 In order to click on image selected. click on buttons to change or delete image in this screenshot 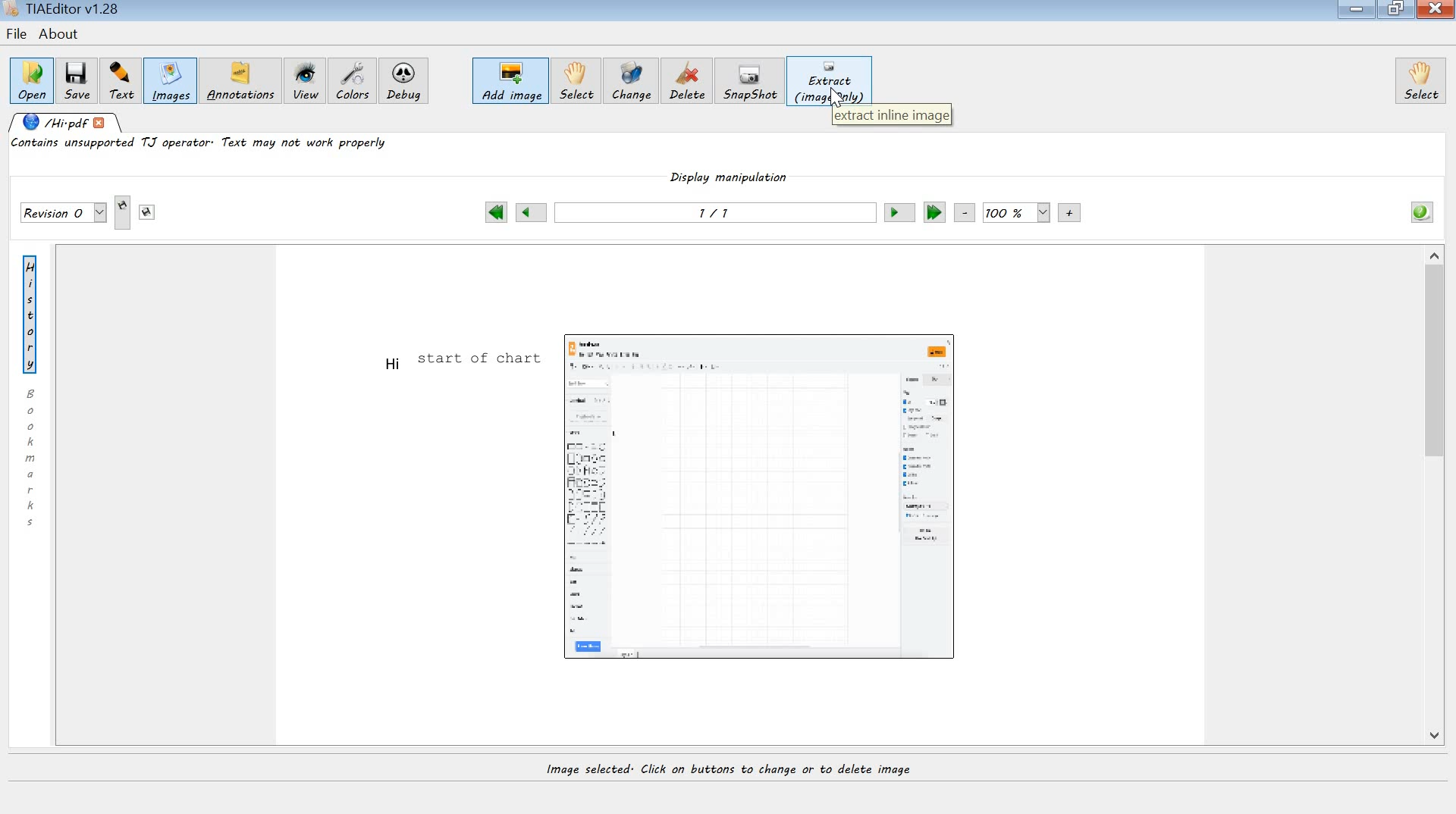, I will do `click(752, 772)`.